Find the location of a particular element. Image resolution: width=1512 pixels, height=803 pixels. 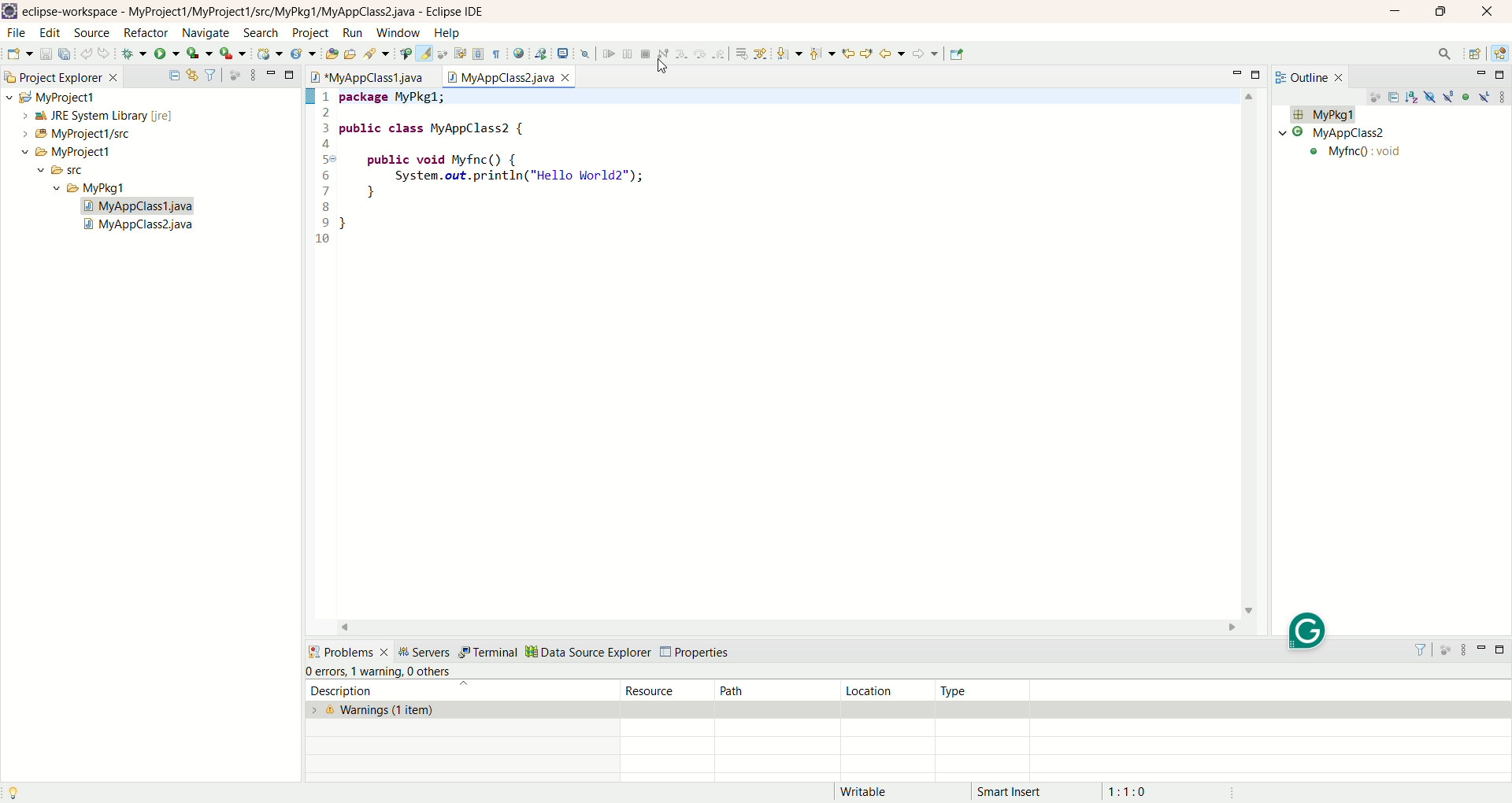

save is located at coordinates (46, 54).